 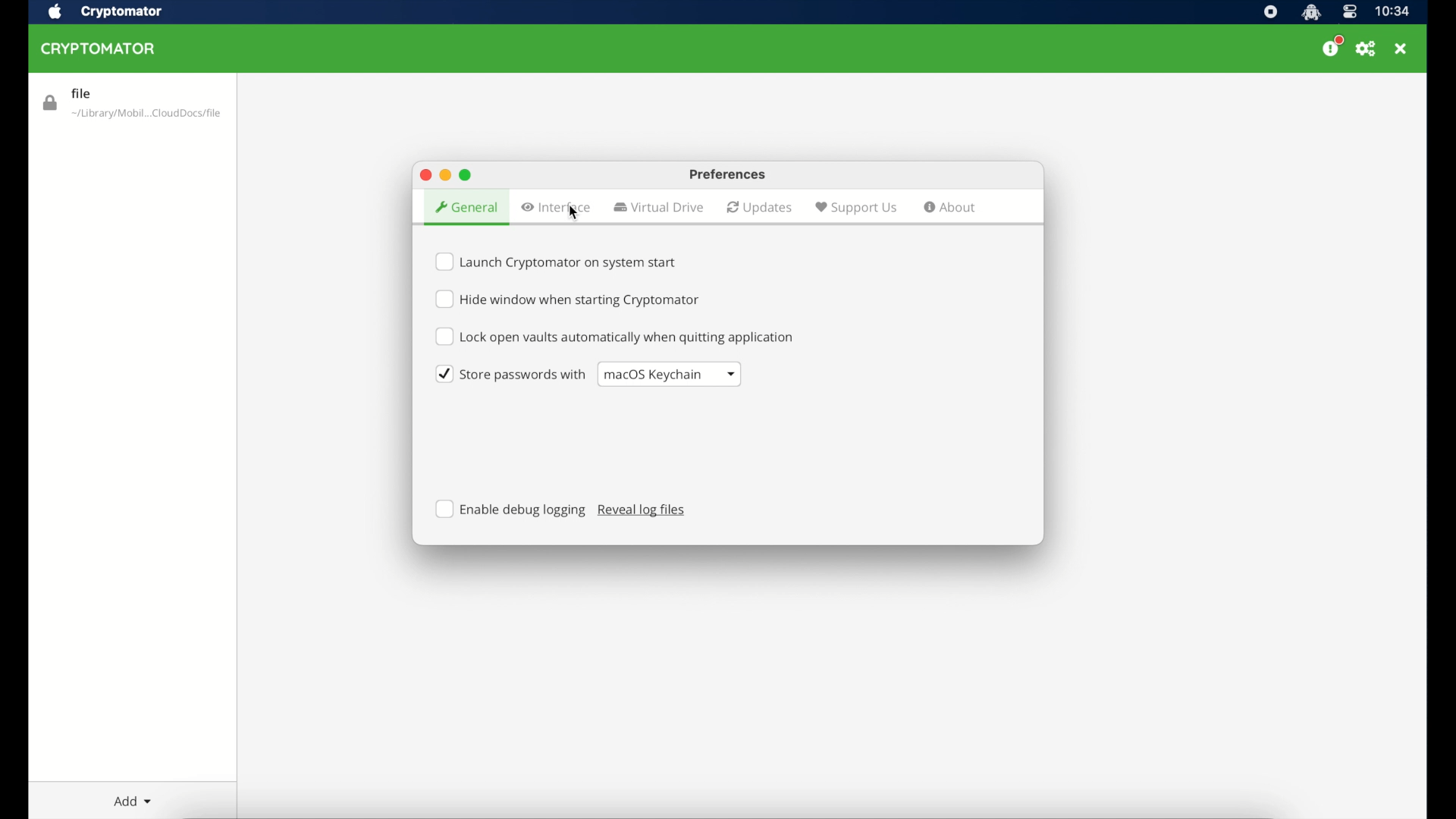 What do you see at coordinates (658, 207) in the screenshot?
I see `virtual drive` at bounding box center [658, 207].